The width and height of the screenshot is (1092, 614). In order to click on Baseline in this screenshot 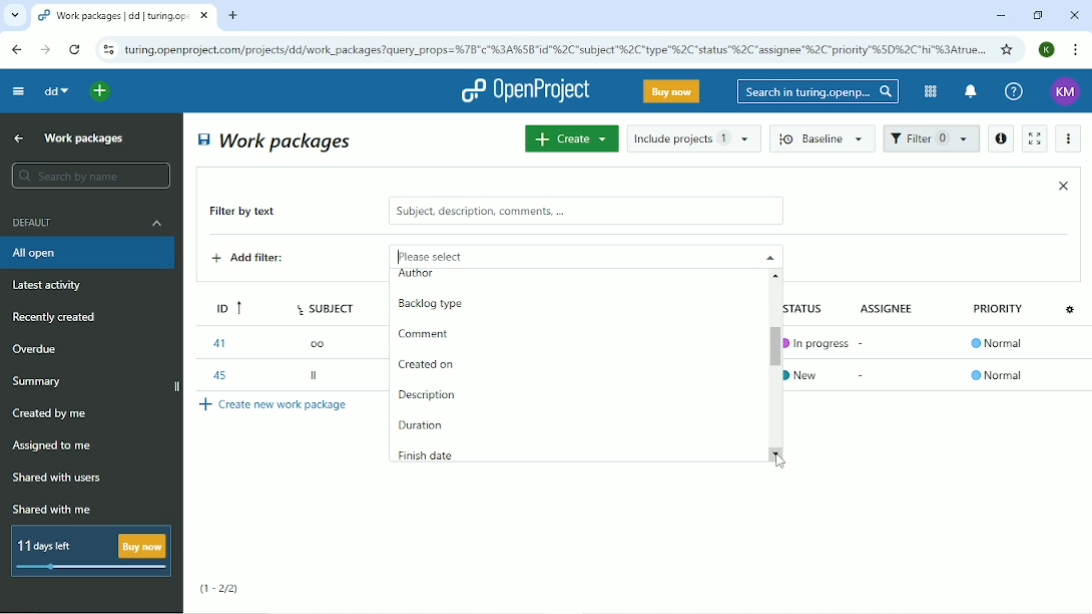, I will do `click(824, 138)`.